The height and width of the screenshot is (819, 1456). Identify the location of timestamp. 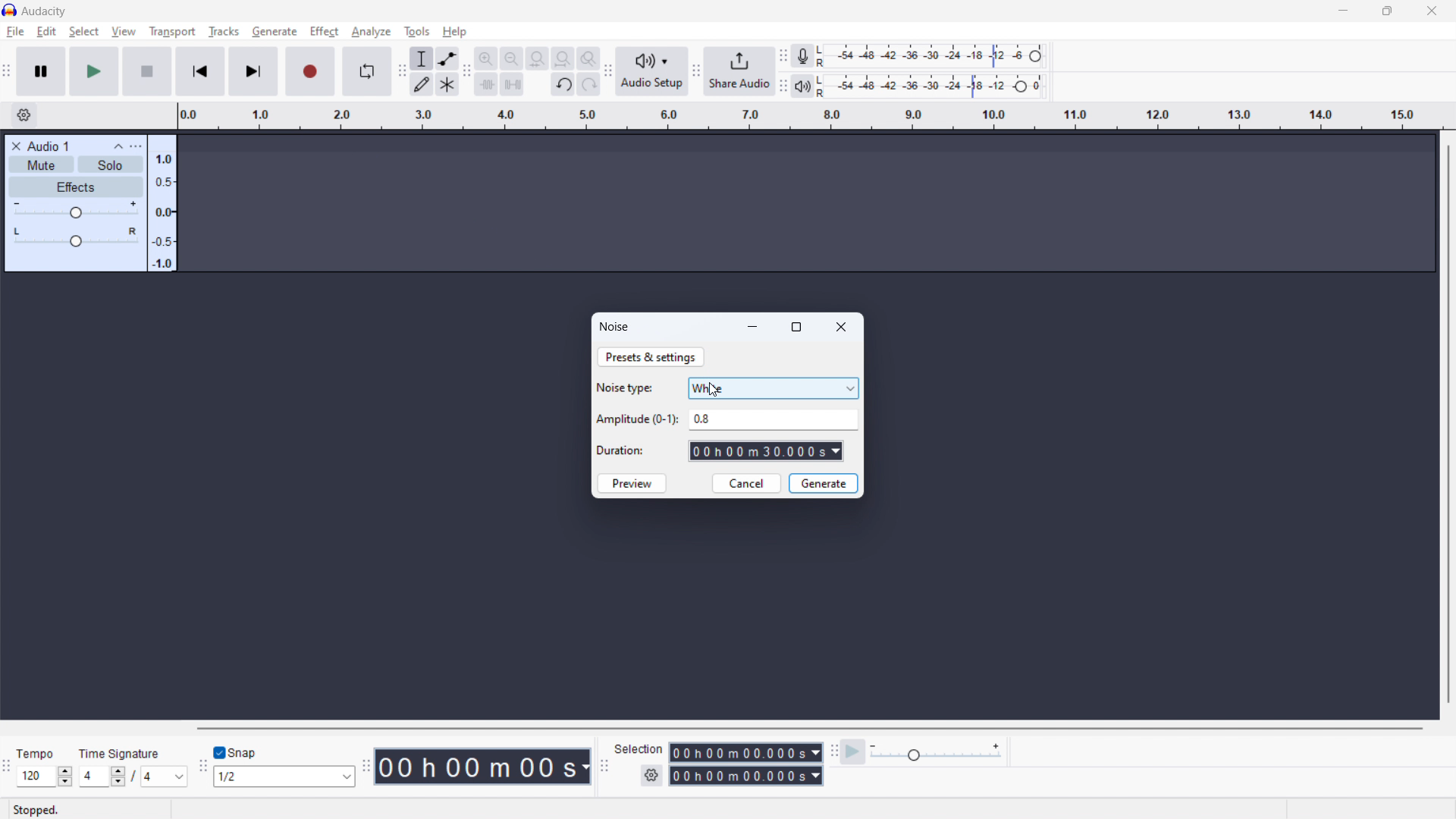
(485, 767).